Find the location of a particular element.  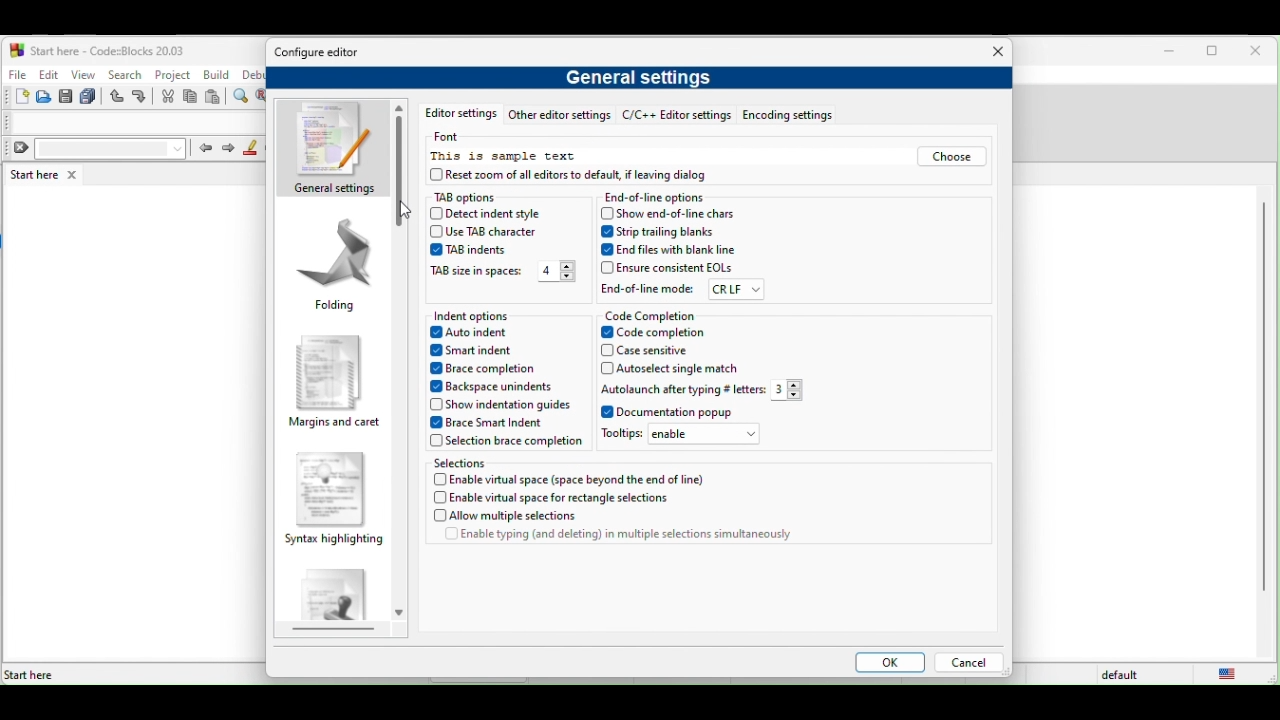

indent option is located at coordinates (499, 316).